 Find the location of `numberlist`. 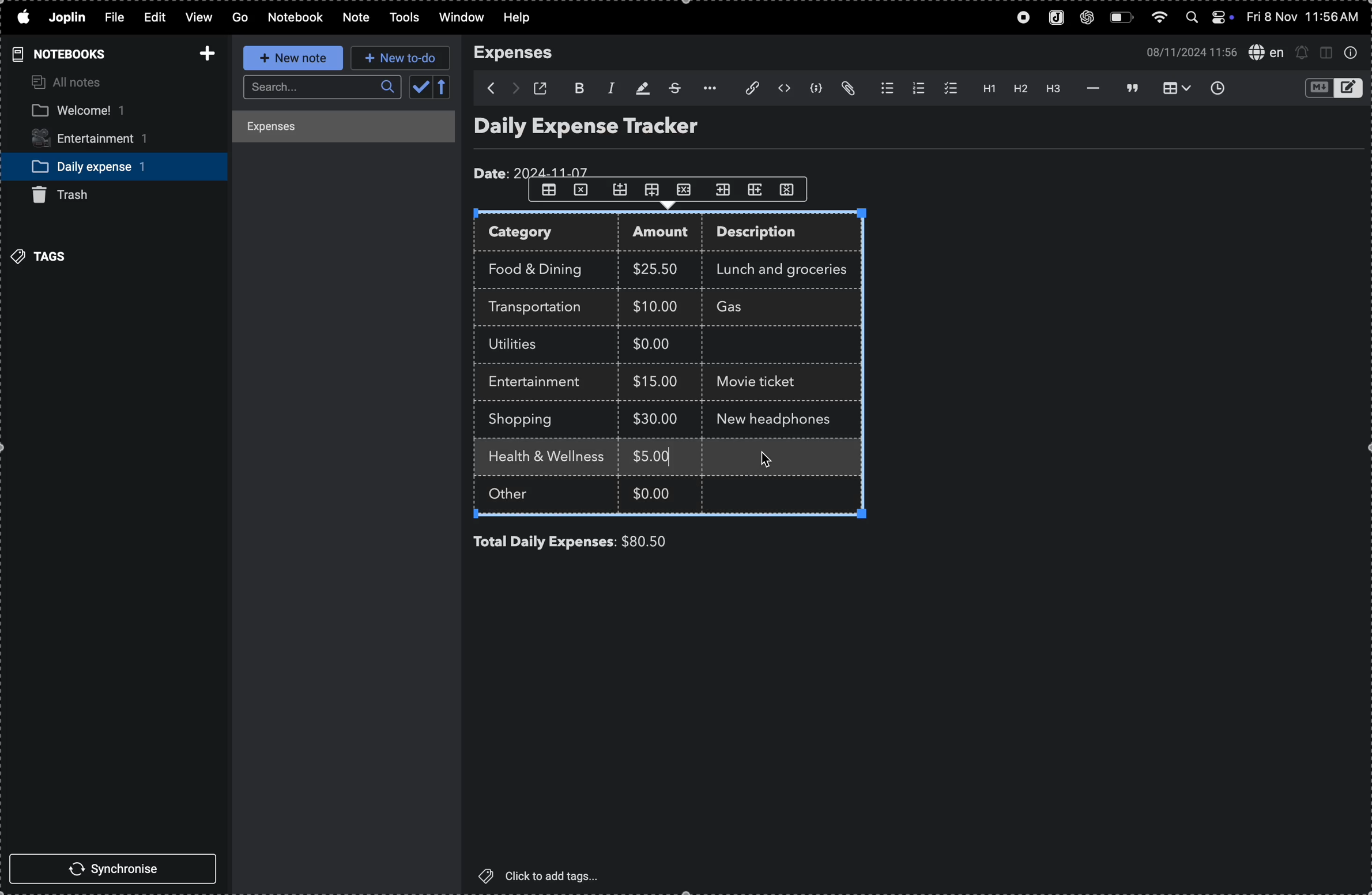

numberlist is located at coordinates (916, 88).